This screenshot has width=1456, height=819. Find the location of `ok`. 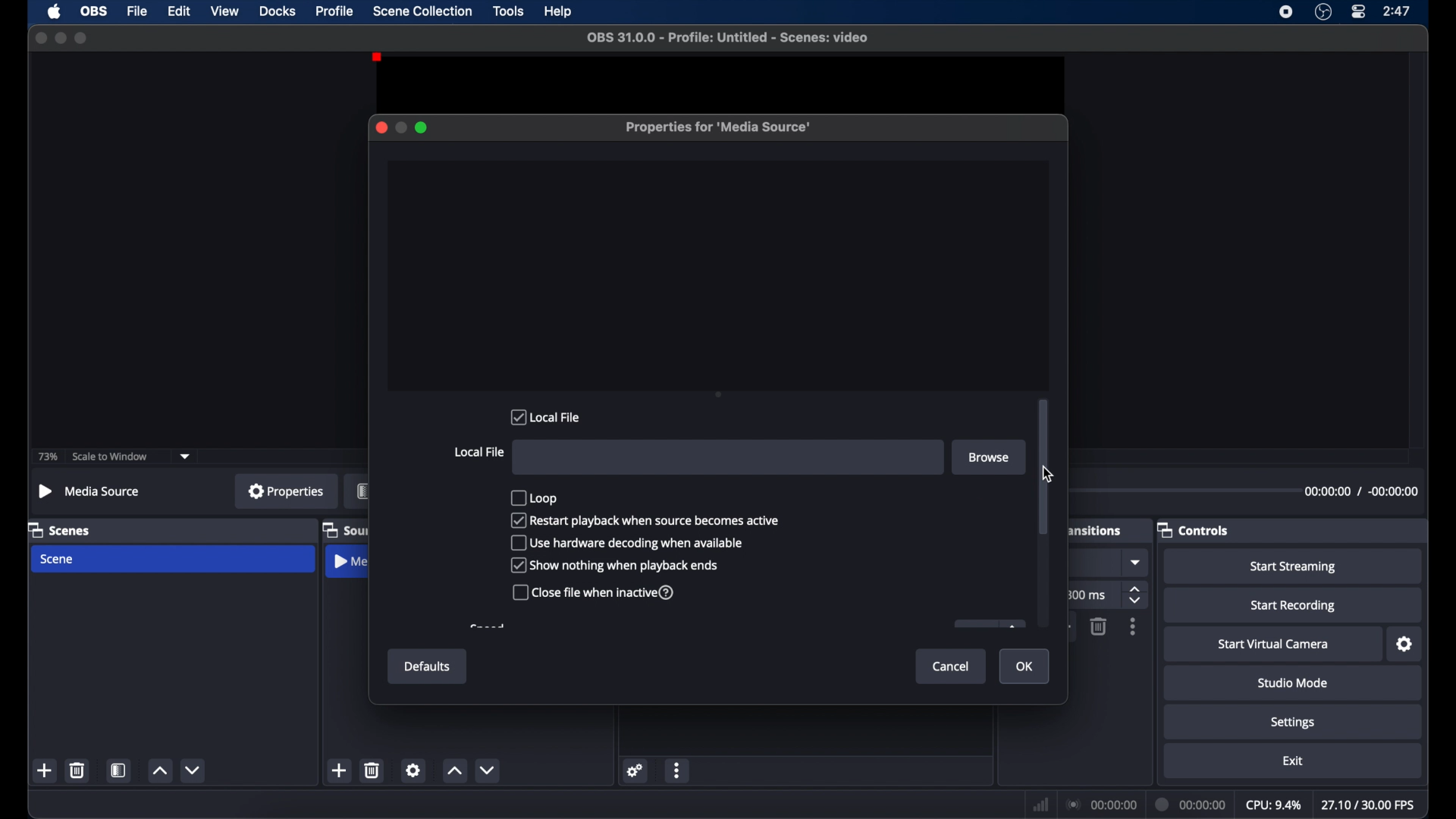

ok is located at coordinates (1025, 667).